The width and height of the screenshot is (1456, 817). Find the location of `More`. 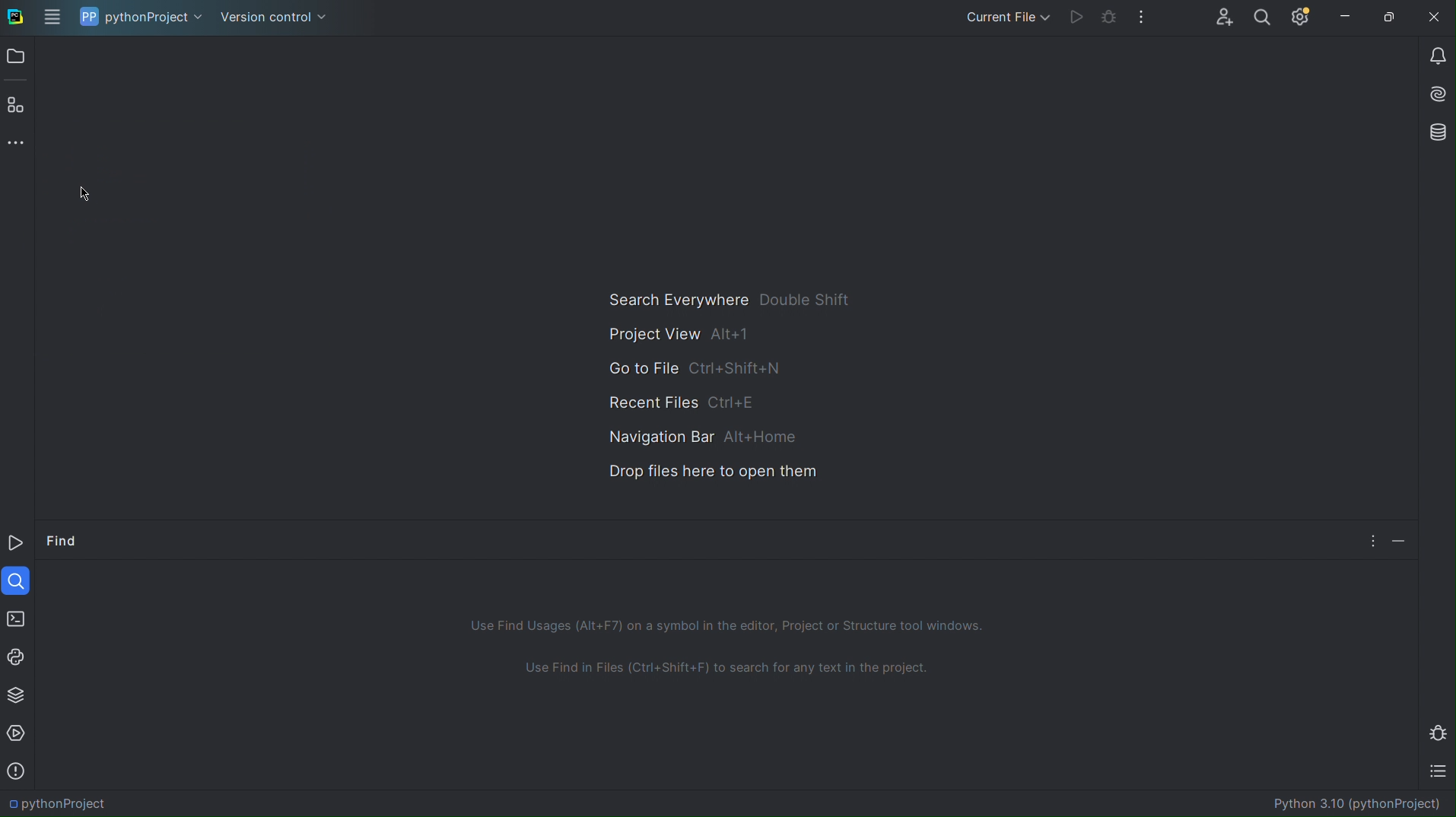

More is located at coordinates (1144, 19).